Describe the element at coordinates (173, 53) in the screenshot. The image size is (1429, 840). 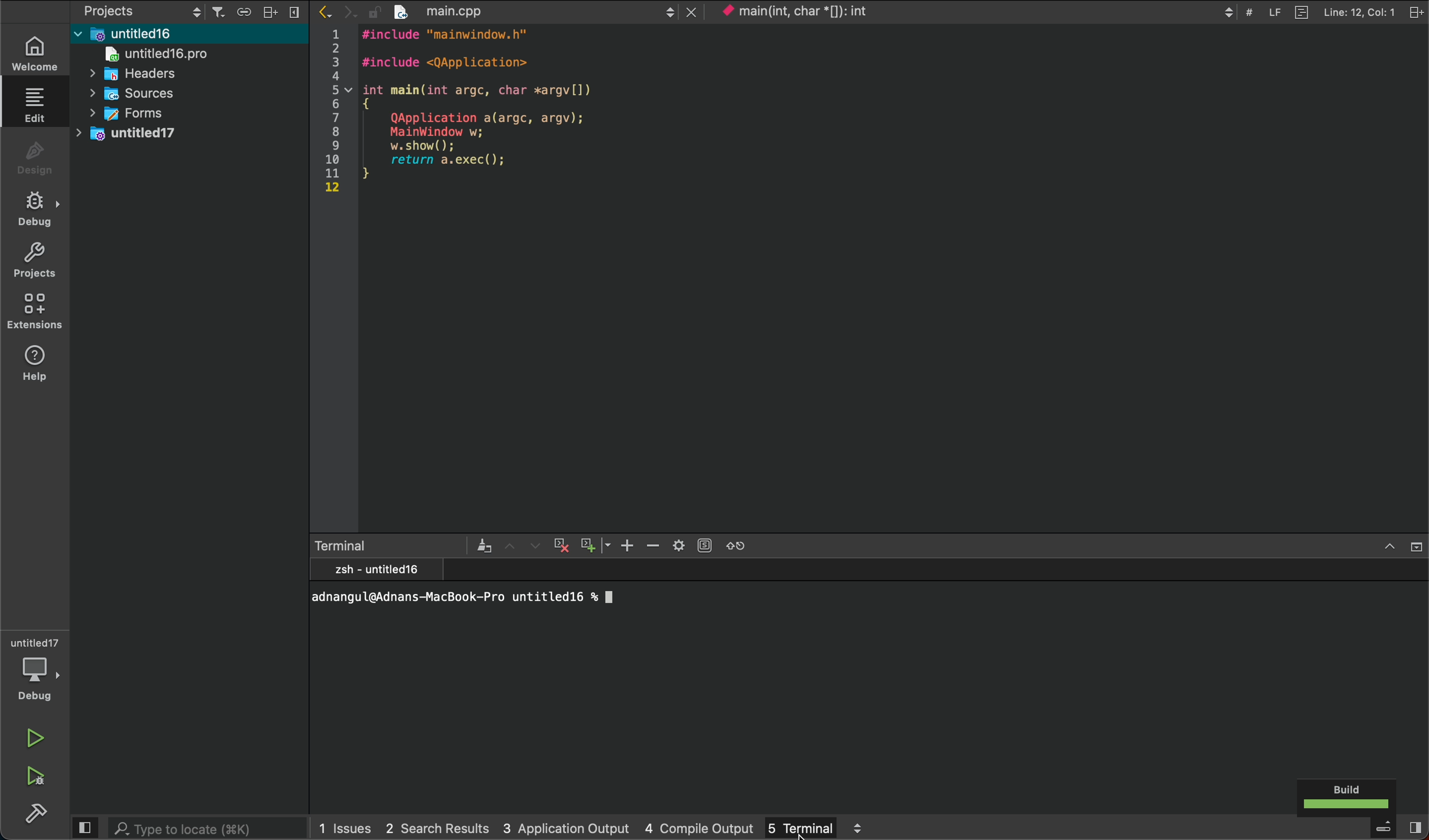
I see `untitled 16 pro` at that location.